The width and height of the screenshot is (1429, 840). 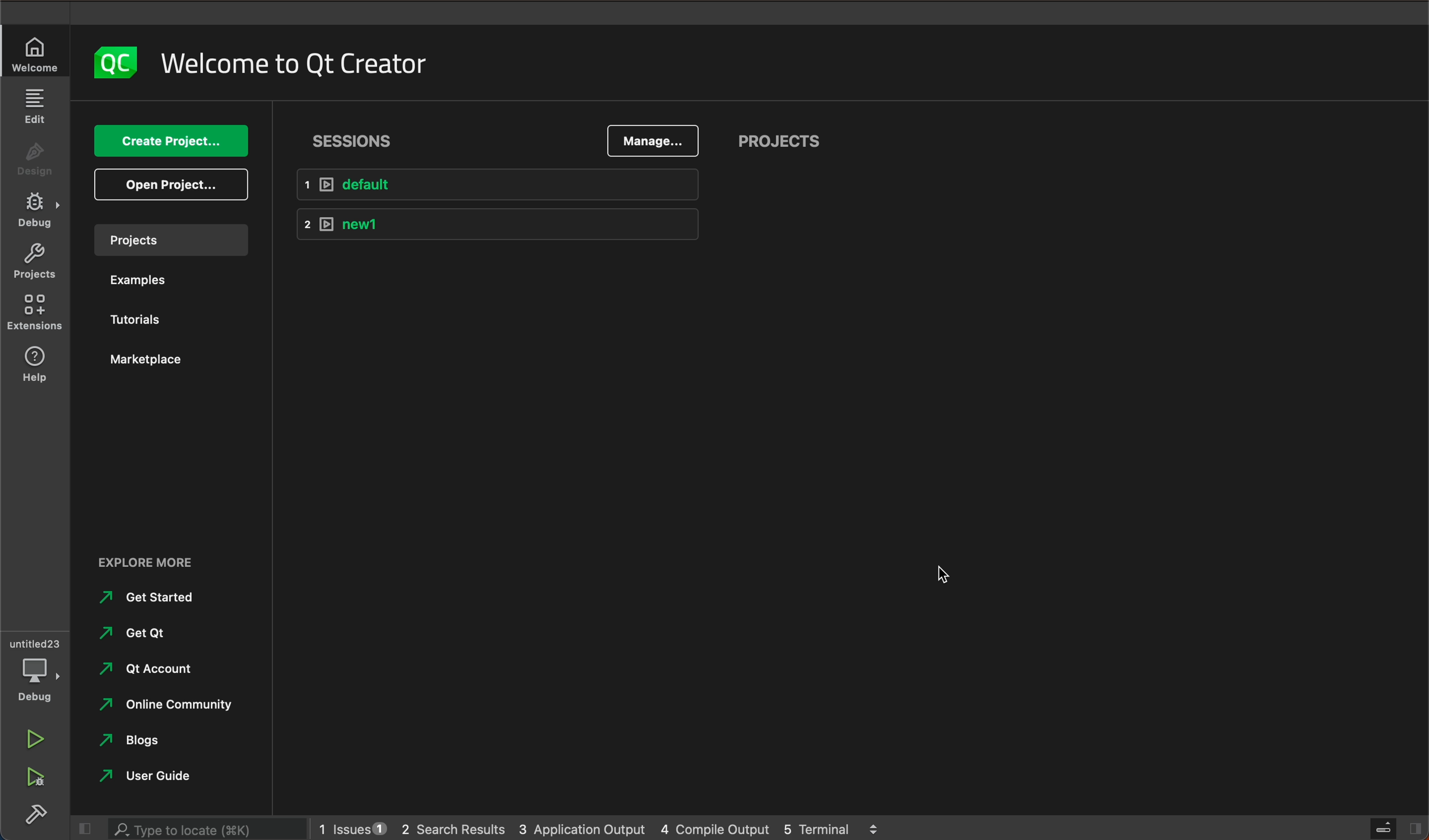 What do you see at coordinates (354, 141) in the screenshot?
I see `sessions` at bounding box center [354, 141].